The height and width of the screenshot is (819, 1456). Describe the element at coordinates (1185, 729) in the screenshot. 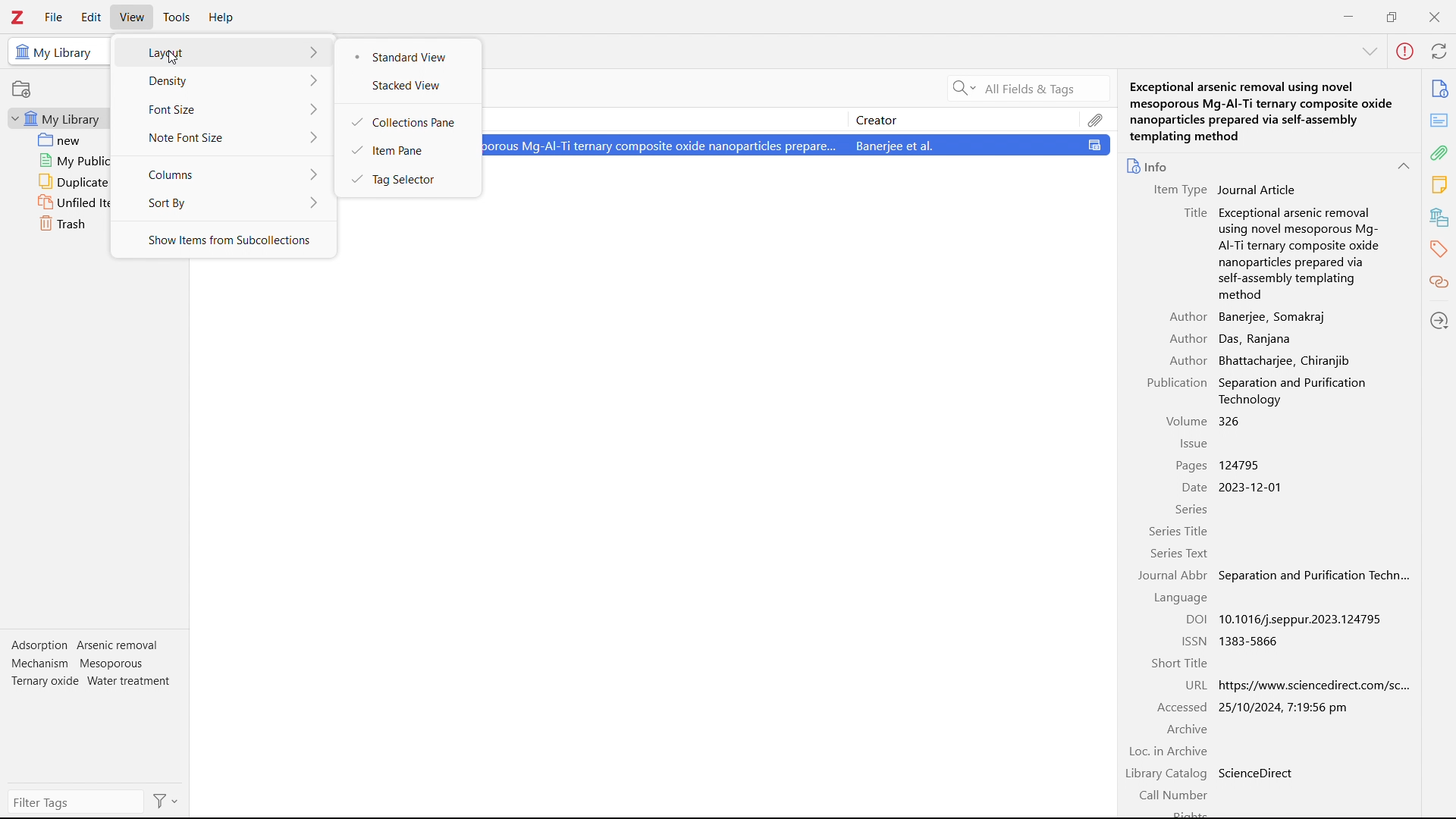

I see `Archive` at that location.